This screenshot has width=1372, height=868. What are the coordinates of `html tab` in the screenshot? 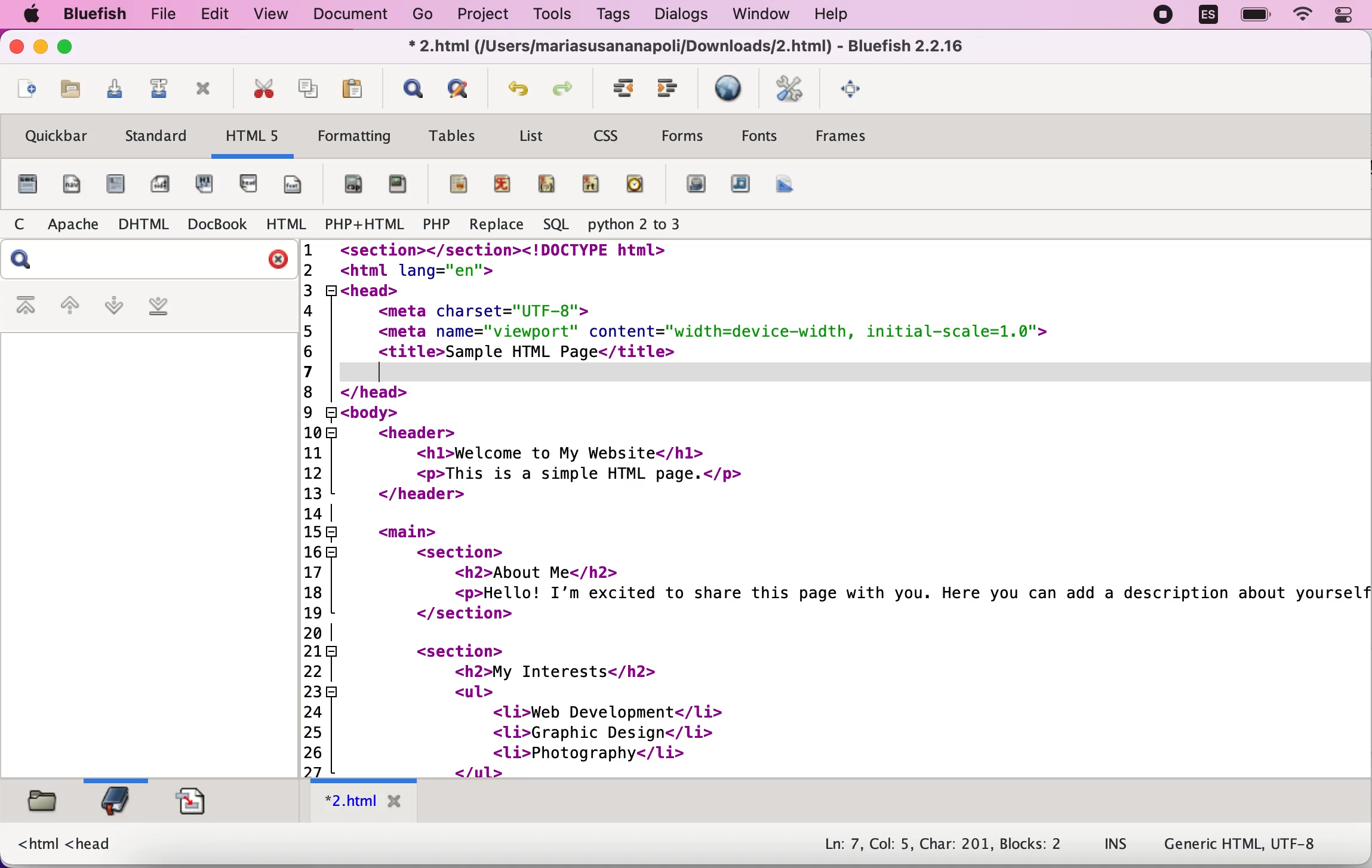 It's located at (363, 802).